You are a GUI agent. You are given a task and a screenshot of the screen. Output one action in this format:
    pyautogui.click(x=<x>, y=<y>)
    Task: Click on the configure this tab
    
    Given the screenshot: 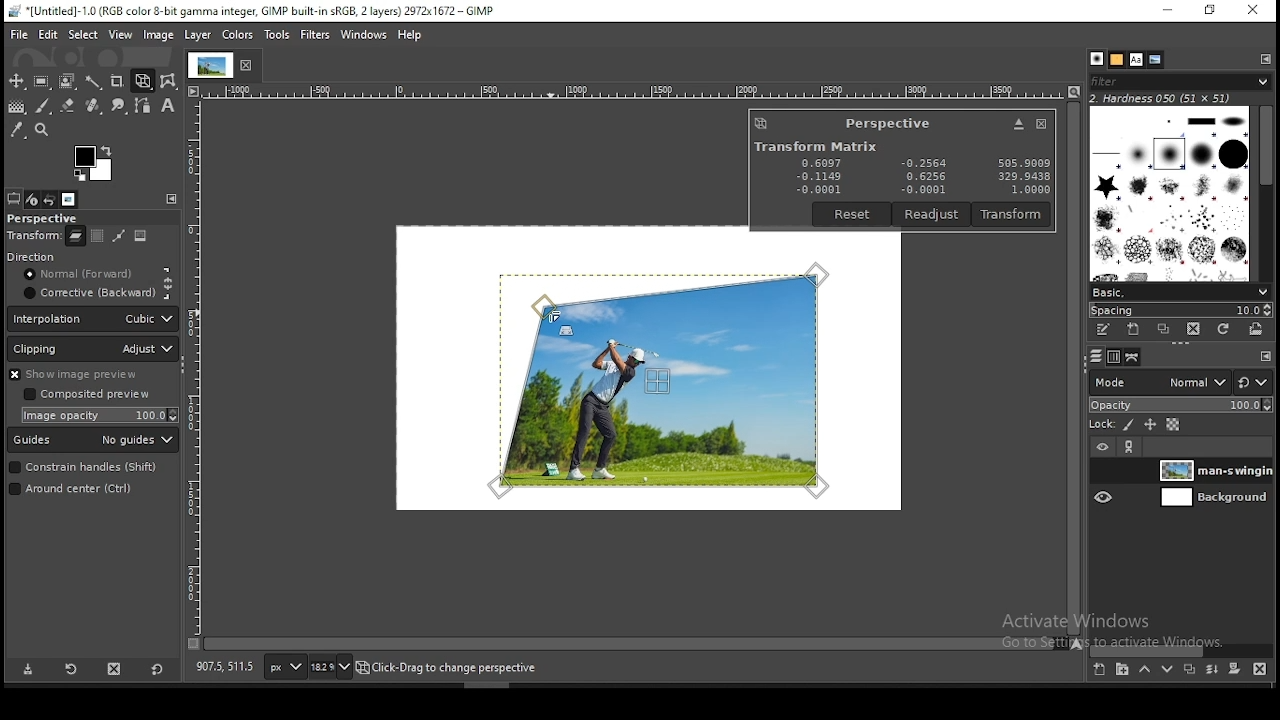 What is the action you would take?
    pyautogui.click(x=172, y=199)
    